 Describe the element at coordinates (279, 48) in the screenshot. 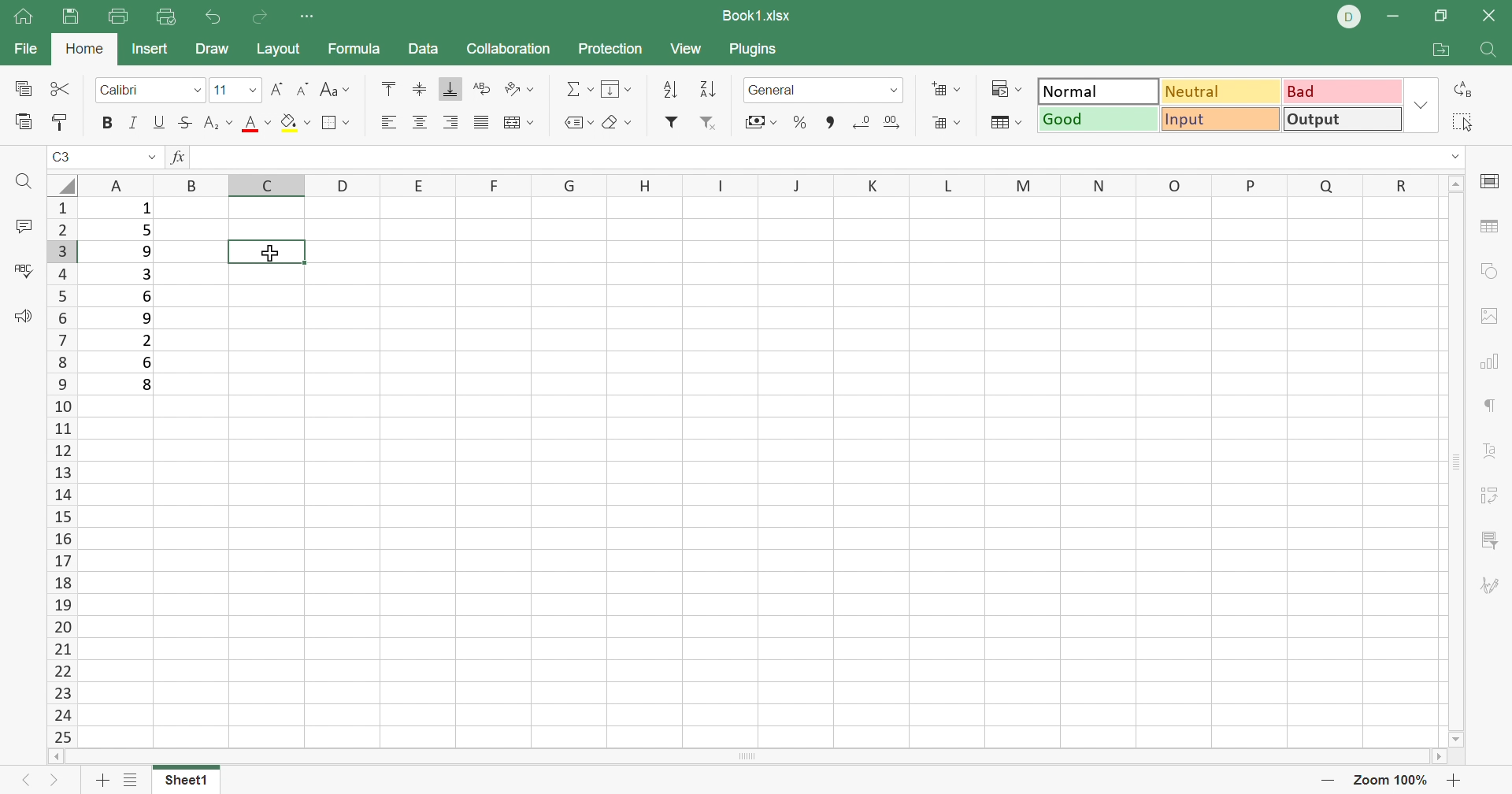

I see `Layout` at that location.